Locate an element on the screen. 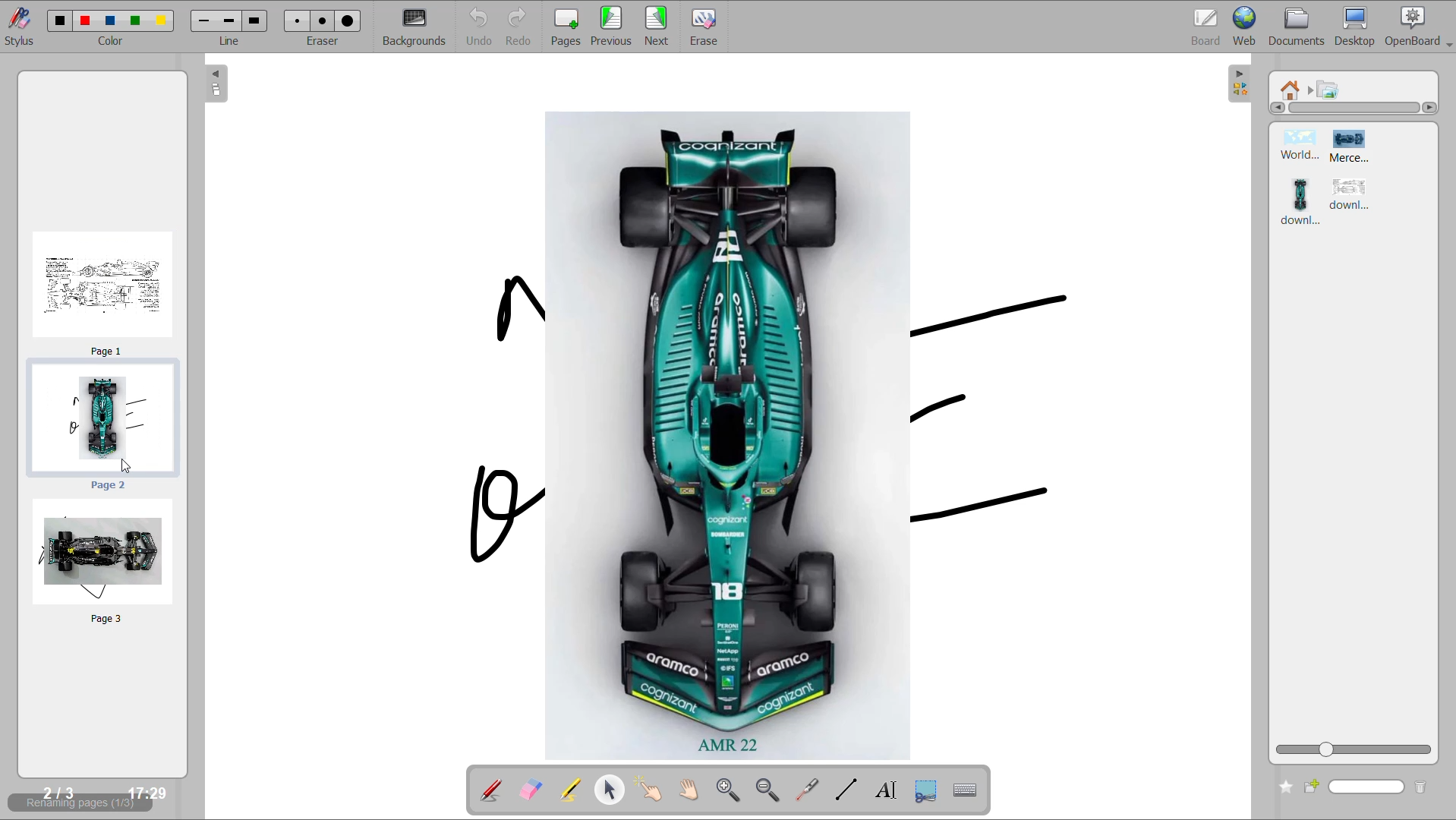  add to favourites is located at coordinates (1283, 785).